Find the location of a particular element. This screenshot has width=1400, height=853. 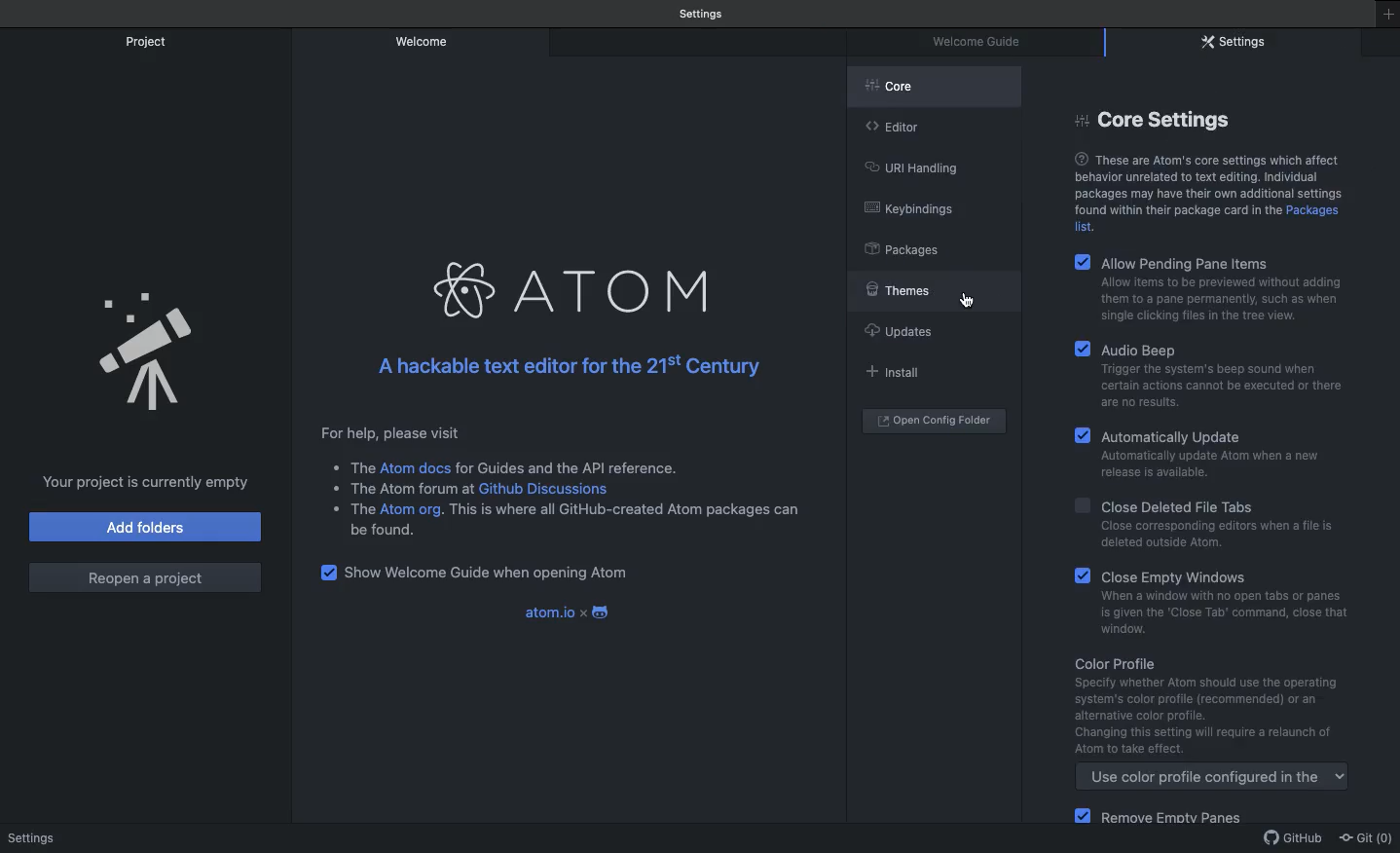

be found. is located at coordinates (388, 534).